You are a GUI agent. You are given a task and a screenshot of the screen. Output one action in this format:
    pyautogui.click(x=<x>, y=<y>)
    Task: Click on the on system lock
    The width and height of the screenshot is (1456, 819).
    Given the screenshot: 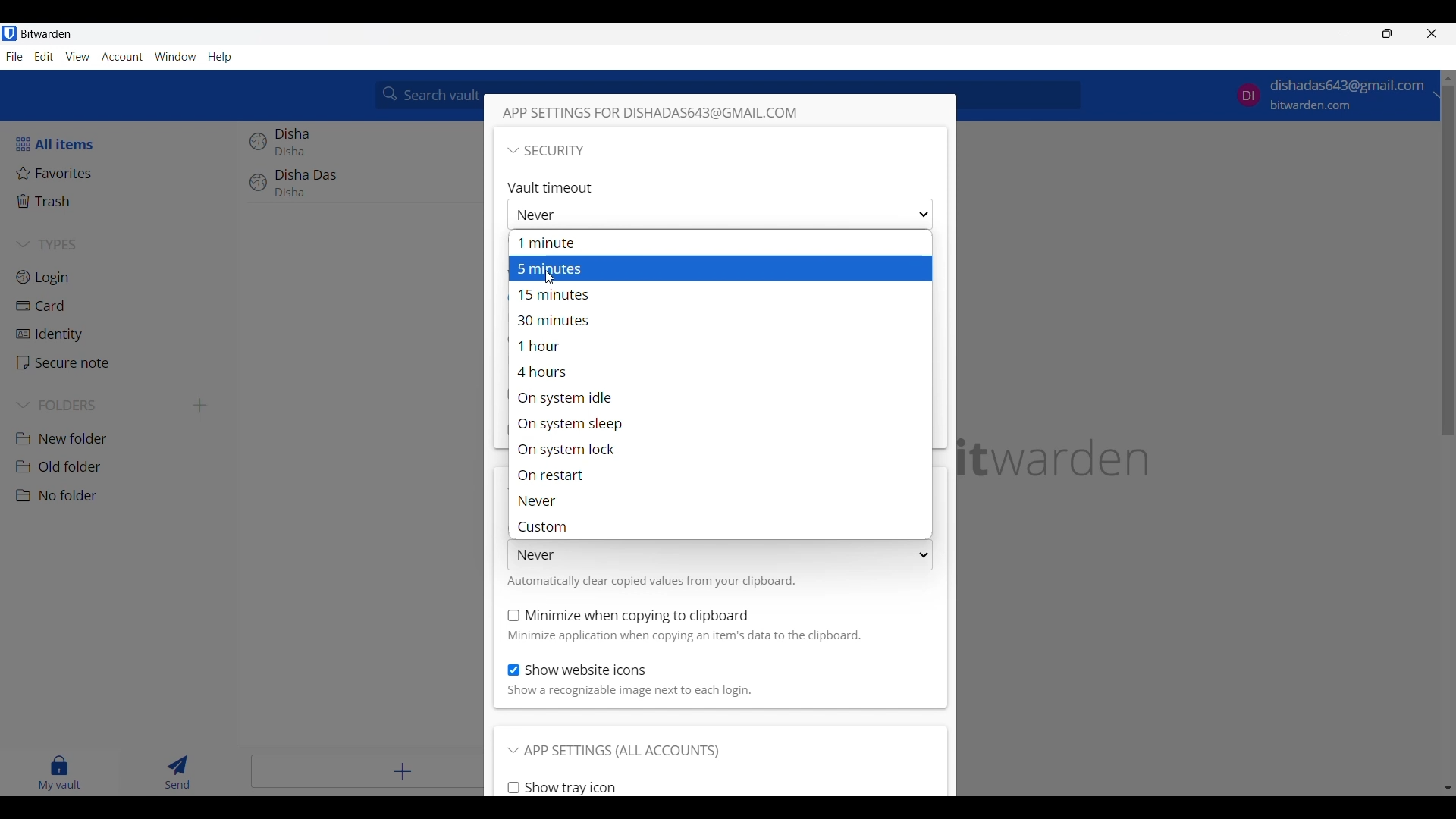 What is the action you would take?
    pyautogui.click(x=717, y=450)
    